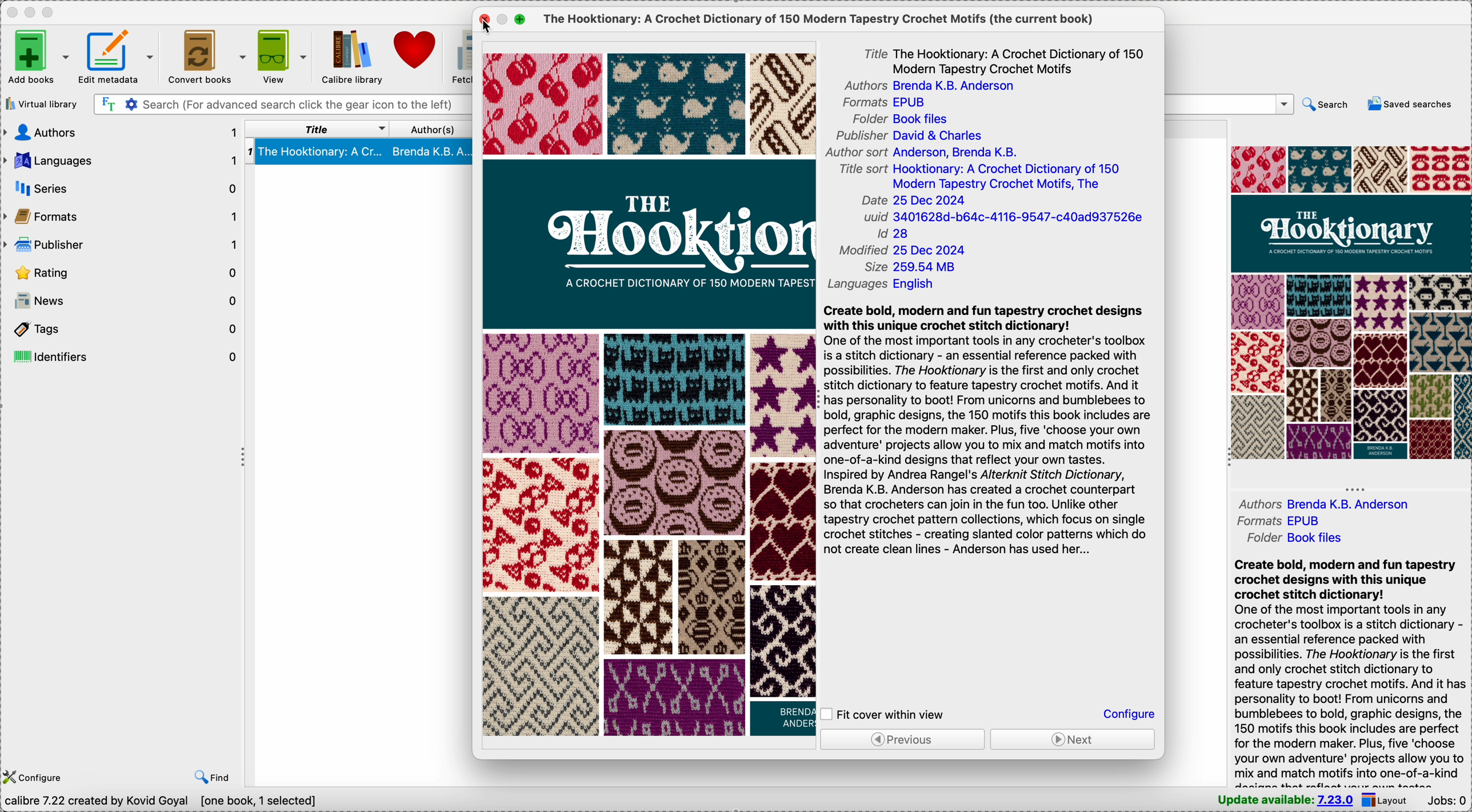 The width and height of the screenshot is (1472, 812). Describe the element at coordinates (503, 21) in the screenshot. I see `minimize` at that location.